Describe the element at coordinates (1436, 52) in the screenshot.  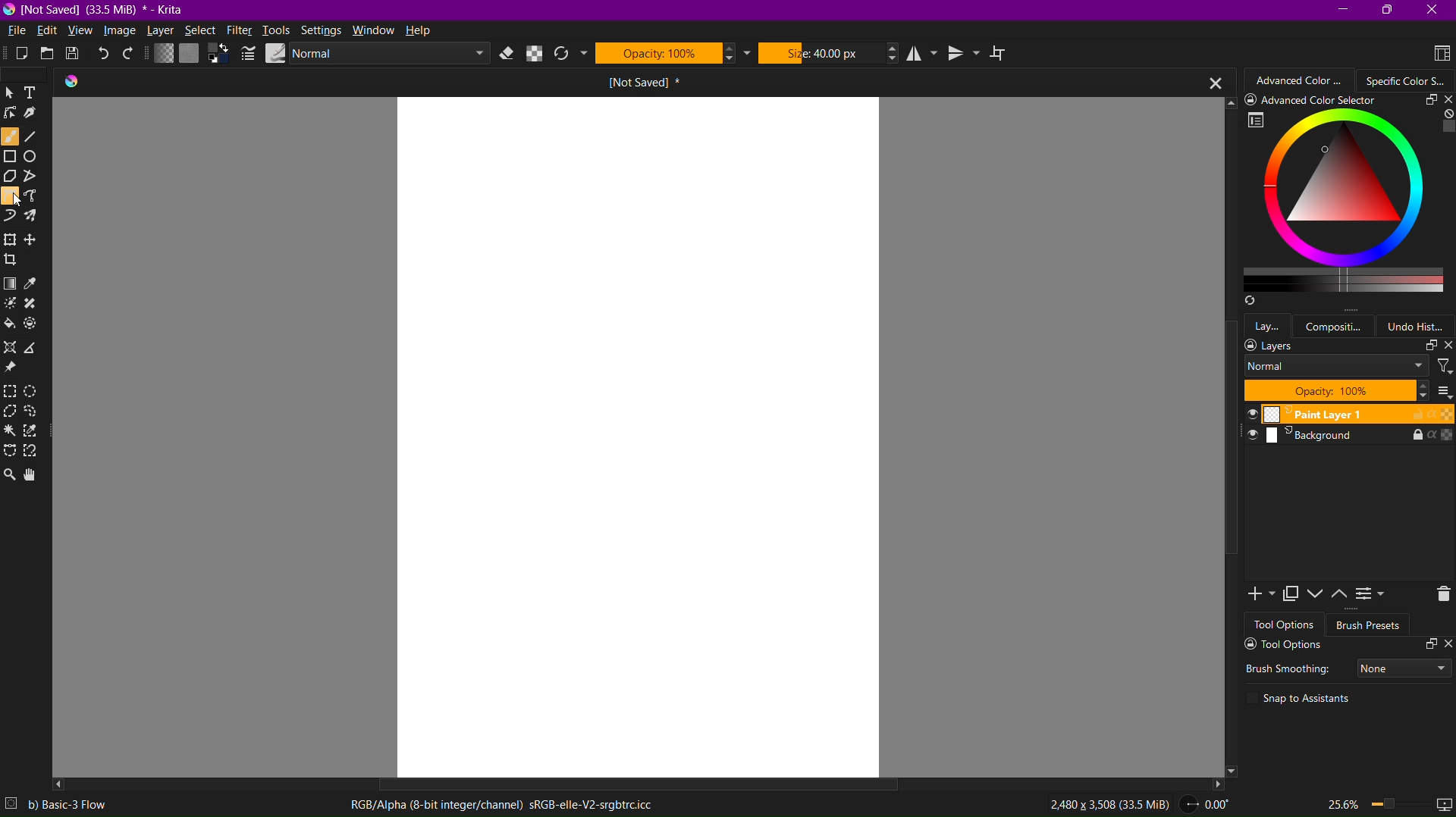
I see `Choose Workspace` at that location.